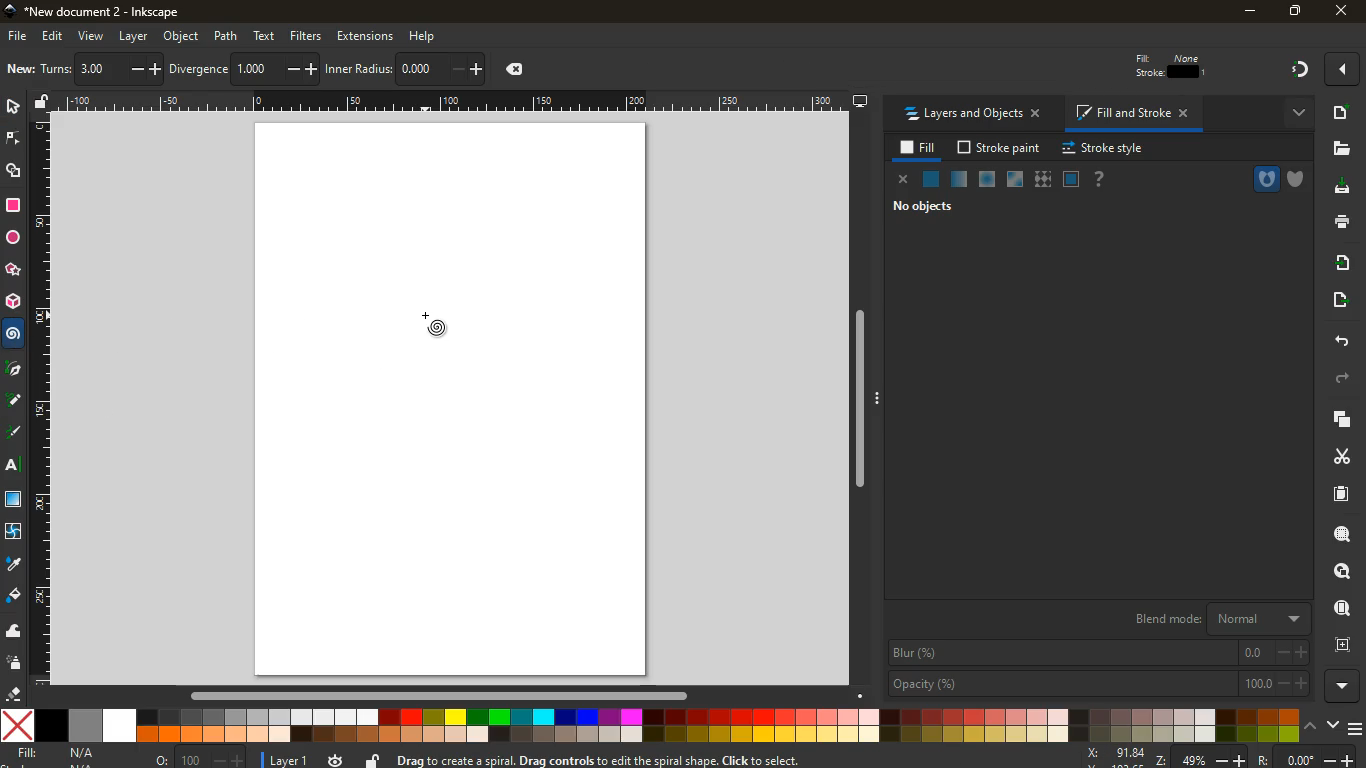 The image size is (1366, 768). What do you see at coordinates (92, 37) in the screenshot?
I see `view` at bounding box center [92, 37].